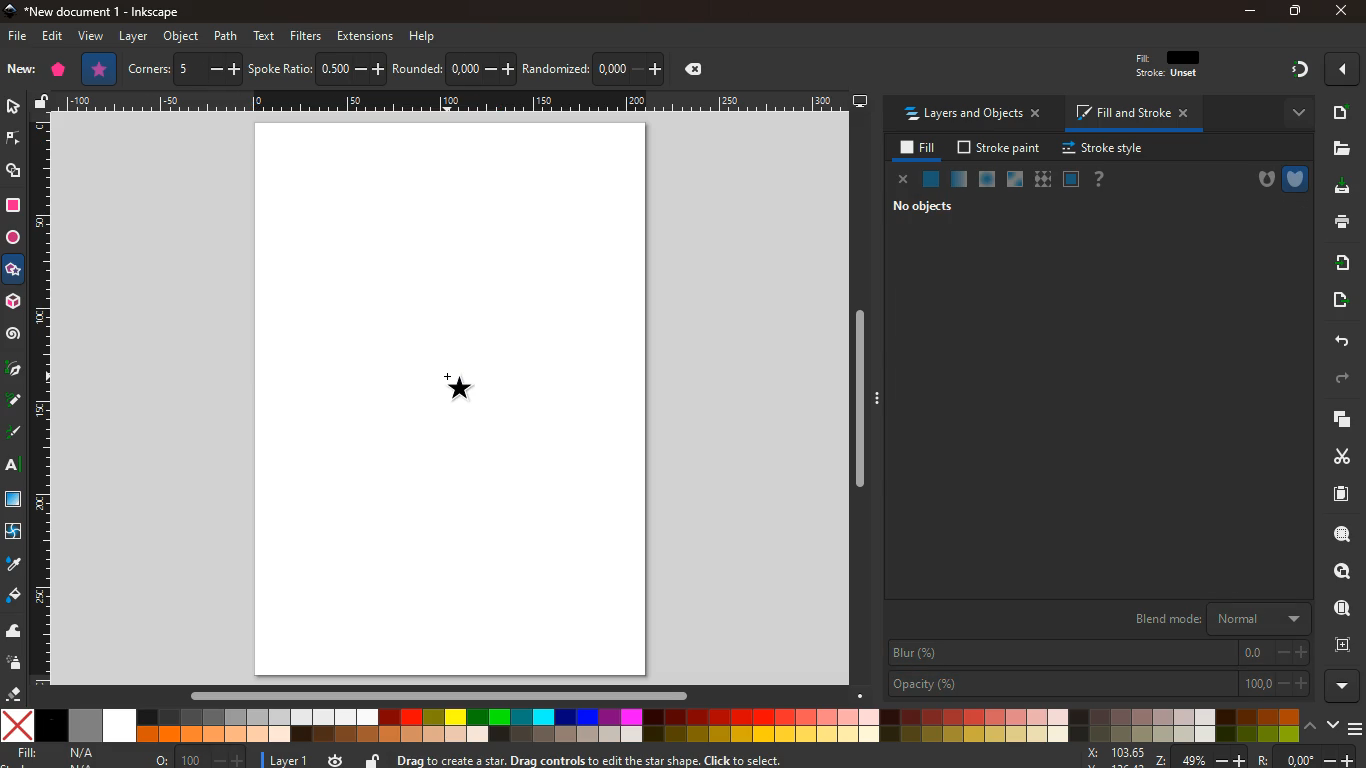 This screenshot has width=1366, height=768. I want to click on search, so click(1338, 572).